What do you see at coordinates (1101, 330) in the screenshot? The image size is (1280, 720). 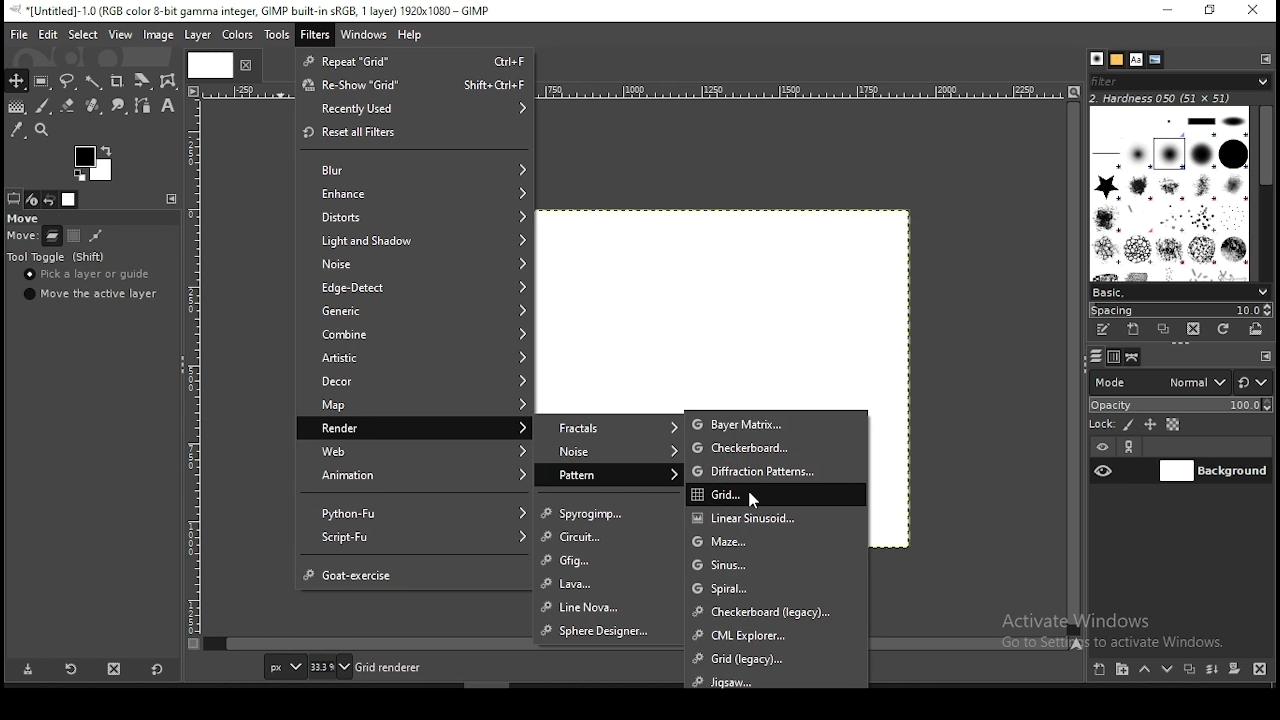 I see `edit this brush` at bounding box center [1101, 330].